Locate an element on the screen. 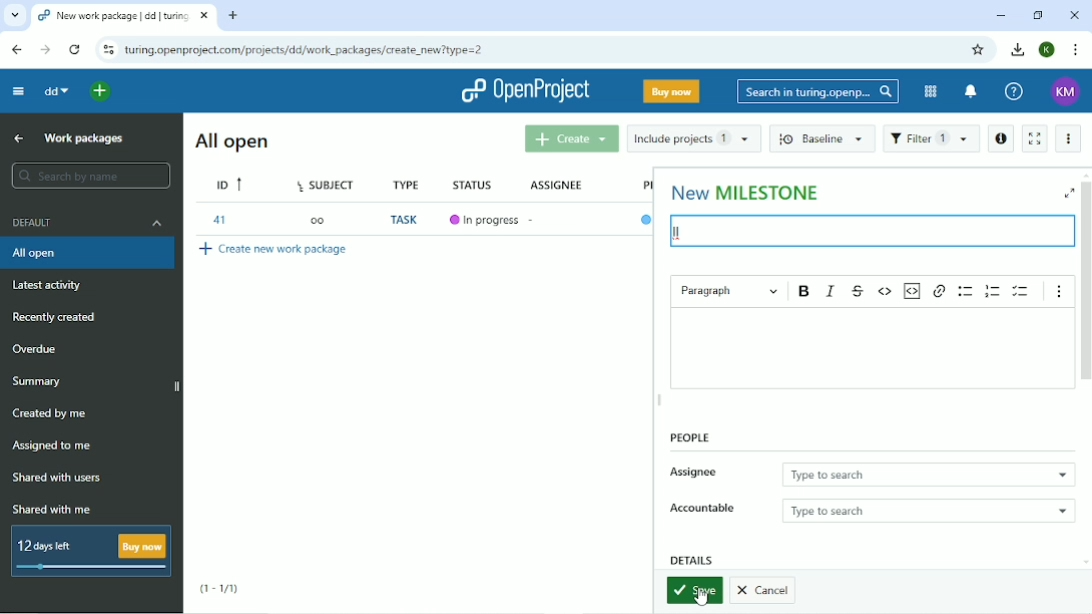 Image resolution: width=1092 pixels, height=614 pixels. Help is located at coordinates (1014, 92).